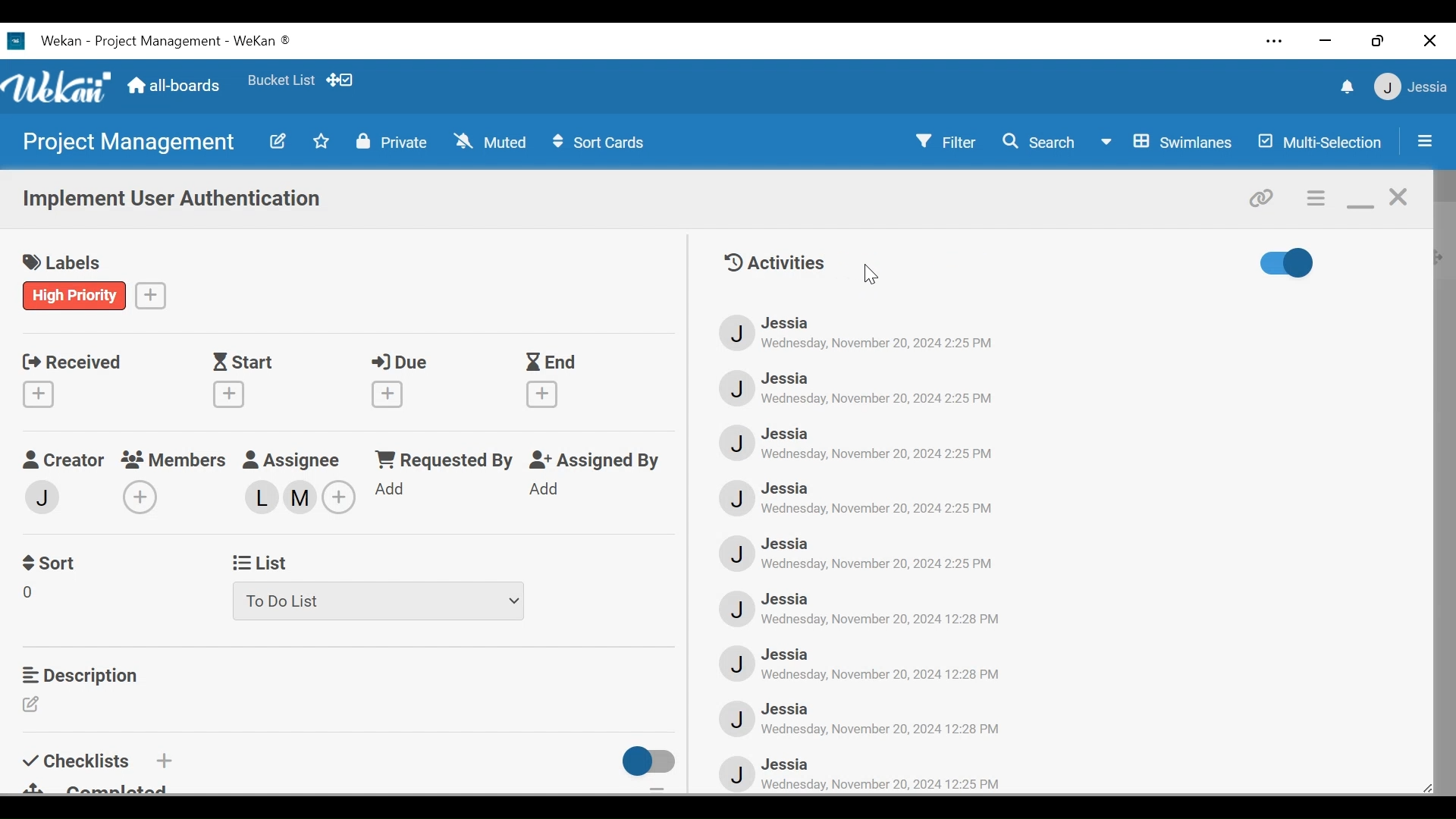  I want to click on Muted, so click(491, 141).